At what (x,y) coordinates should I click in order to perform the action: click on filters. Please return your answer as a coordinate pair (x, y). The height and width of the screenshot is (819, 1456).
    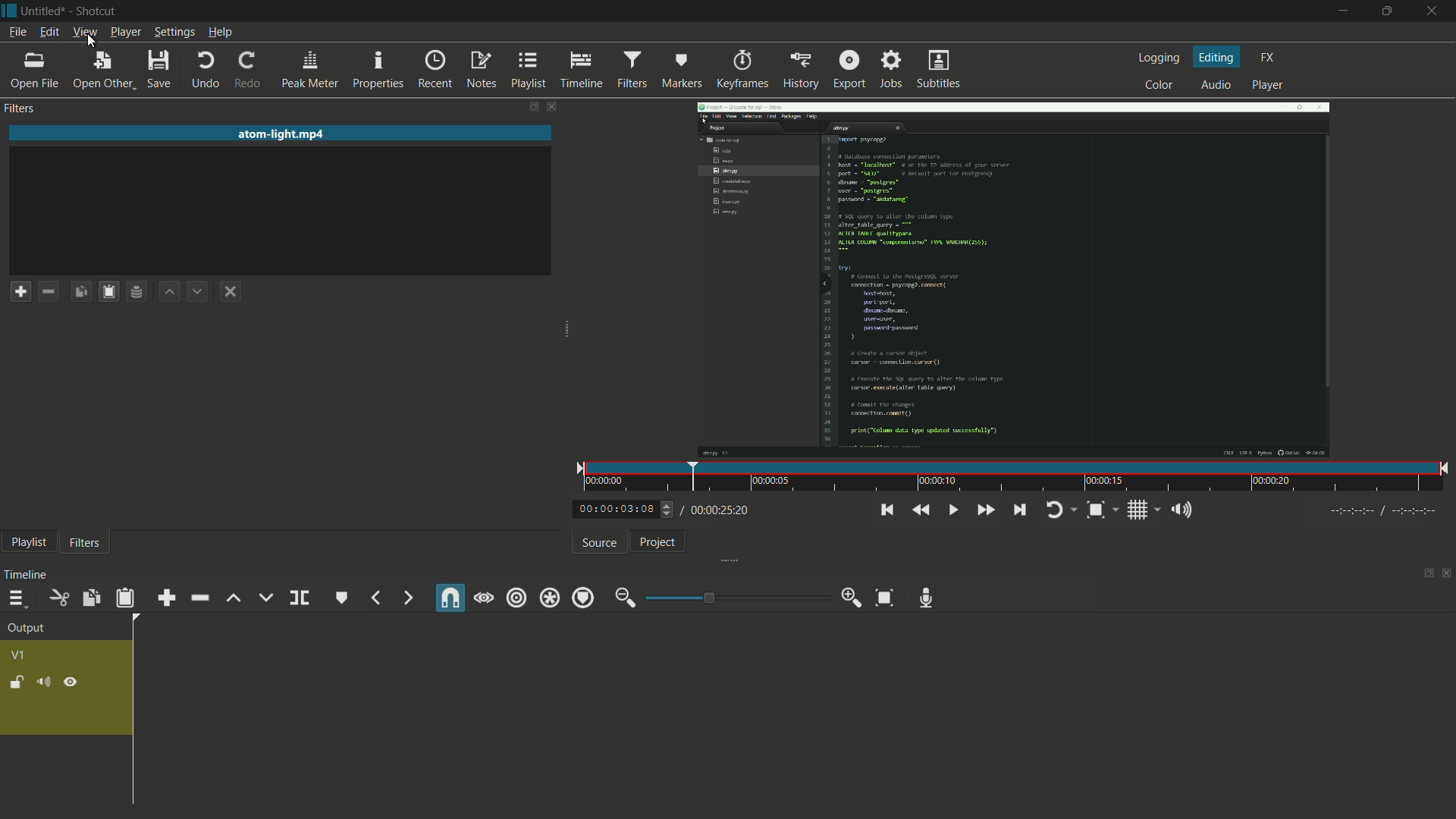
    Looking at the image, I should click on (85, 544).